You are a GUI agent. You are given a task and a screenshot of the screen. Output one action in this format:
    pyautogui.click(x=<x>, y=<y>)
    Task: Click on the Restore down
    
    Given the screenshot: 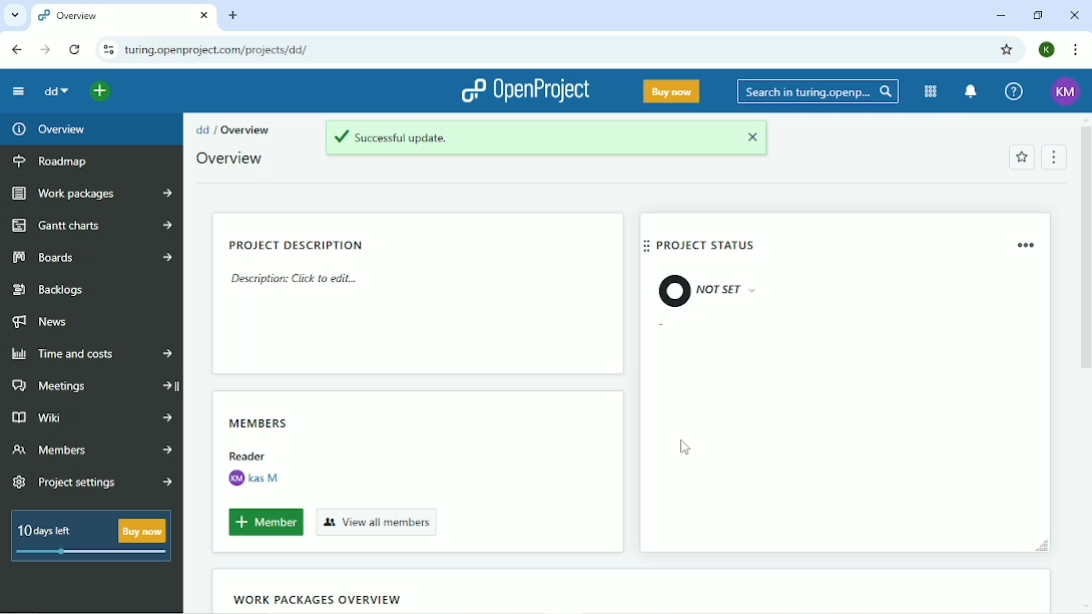 What is the action you would take?
    pyautogui.click(x=1036, y=15)
    